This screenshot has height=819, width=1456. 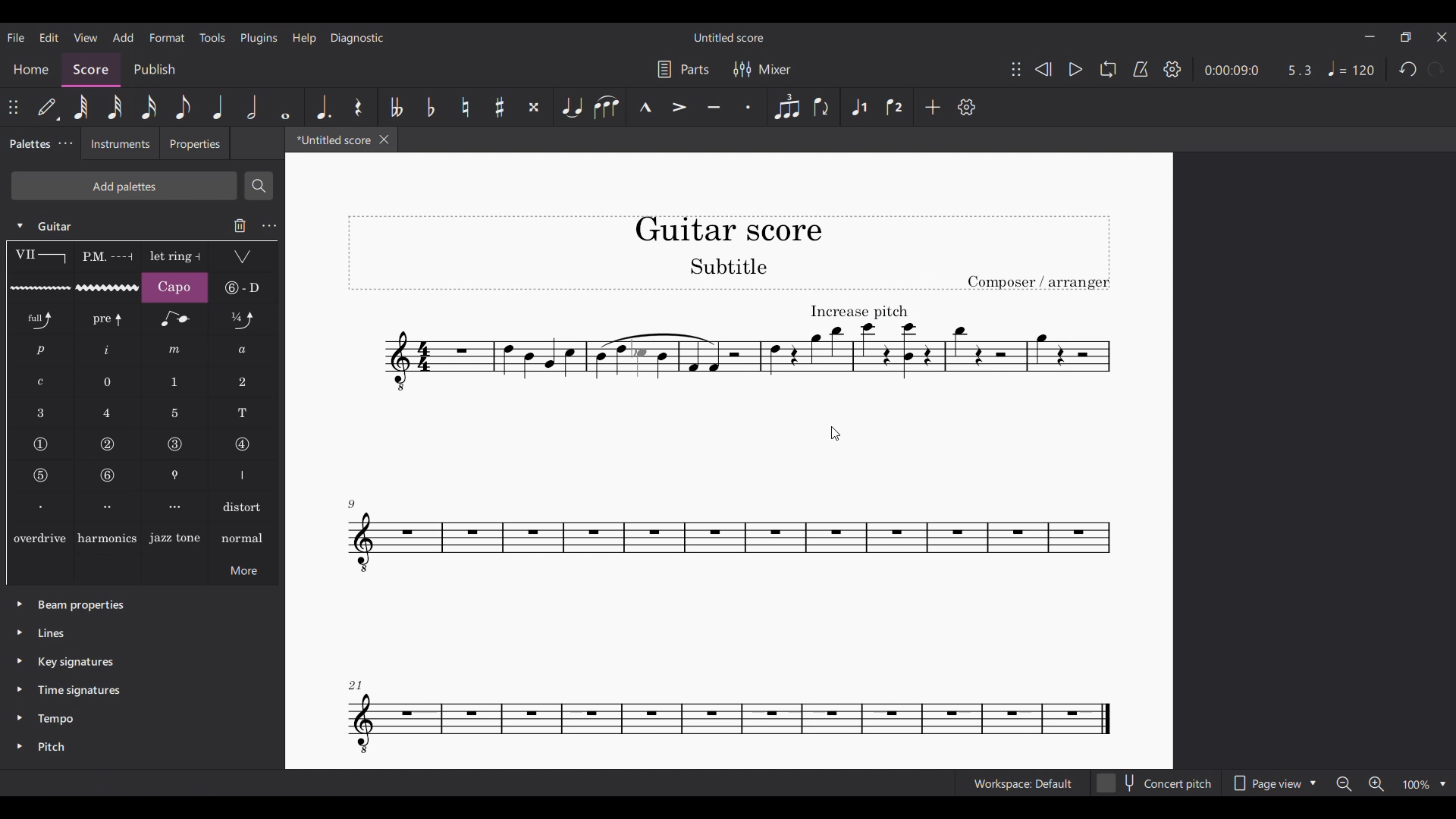 I want to click on Tempo, so click(x=1350, y=68).